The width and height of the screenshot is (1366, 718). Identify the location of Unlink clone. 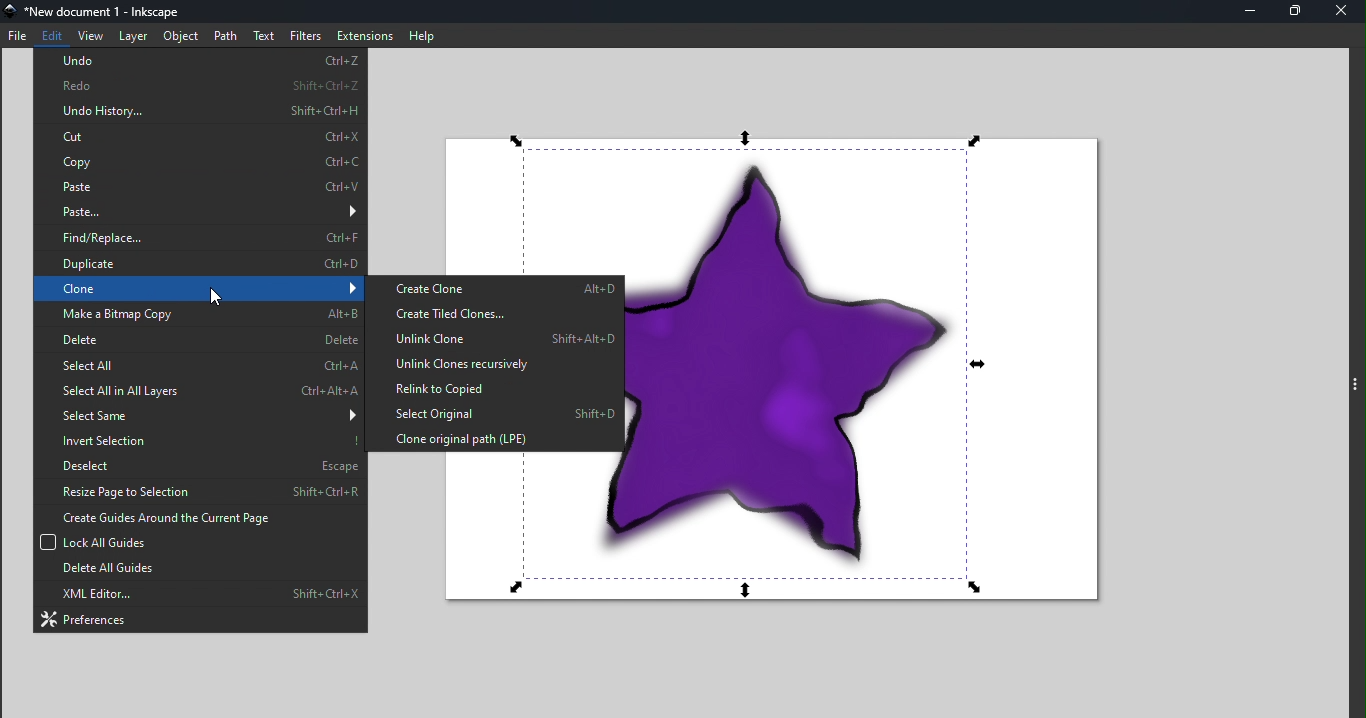
(493, 339).